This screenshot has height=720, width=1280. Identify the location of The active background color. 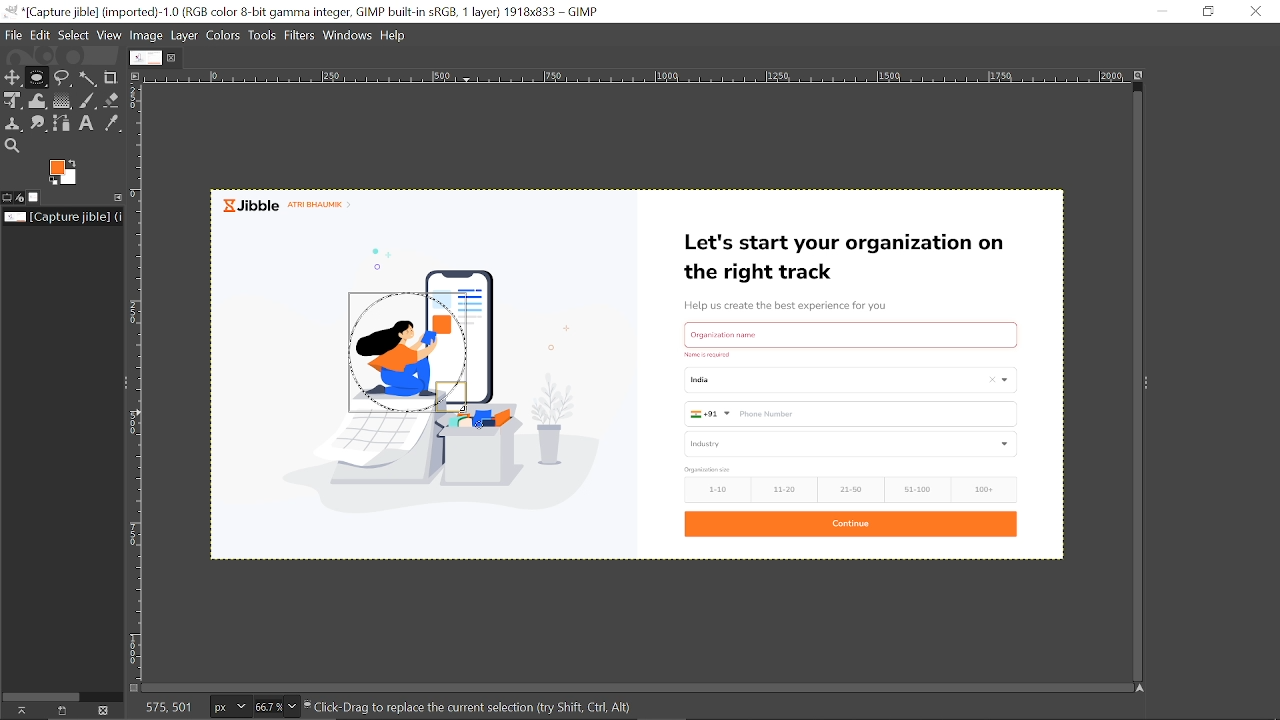
(69, 173).